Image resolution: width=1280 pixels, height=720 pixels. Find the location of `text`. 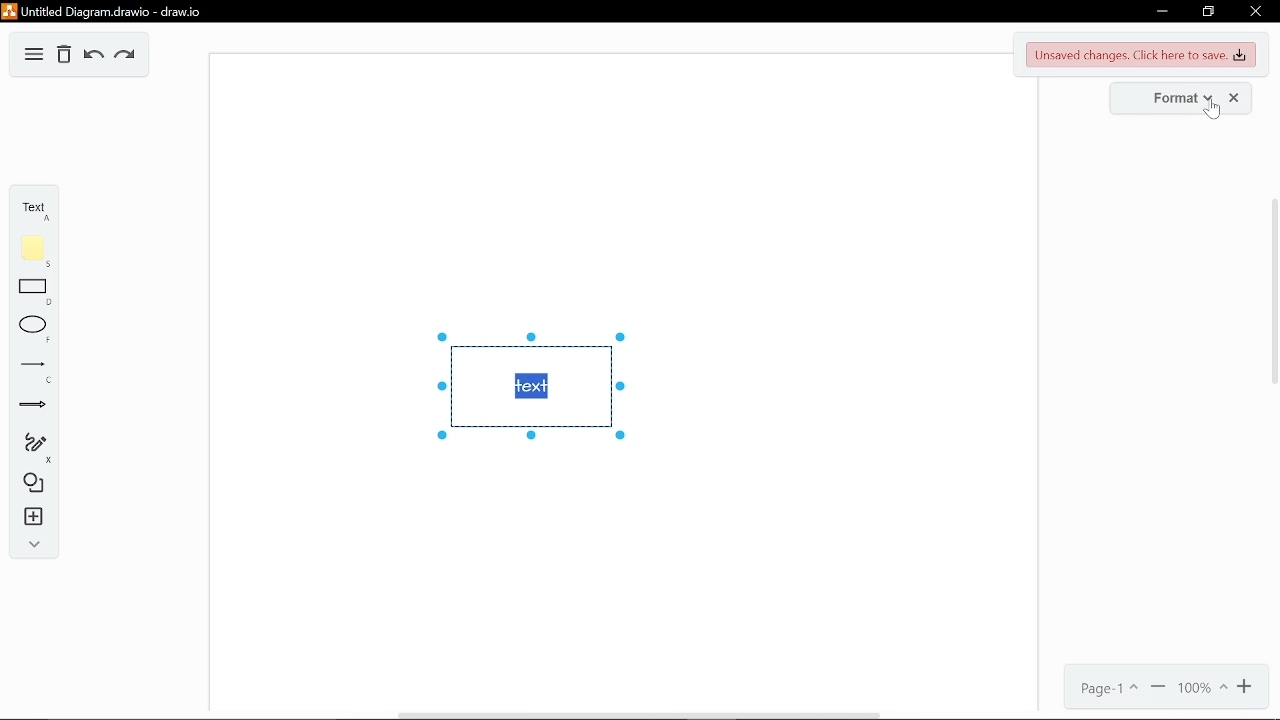

text is located at coordinates (32, 207).